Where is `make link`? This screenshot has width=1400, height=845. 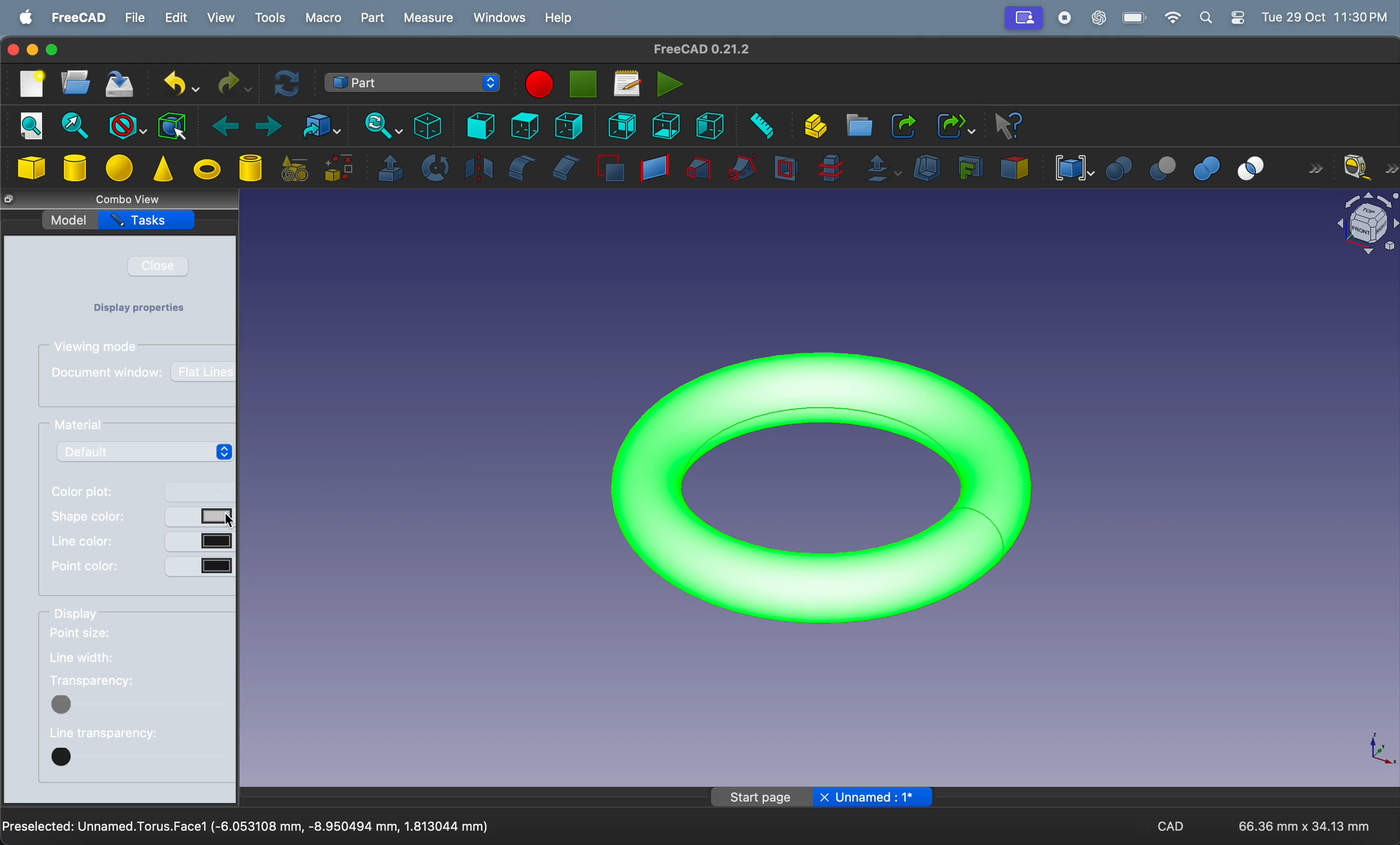 make link is located at coordinates (903, 126).